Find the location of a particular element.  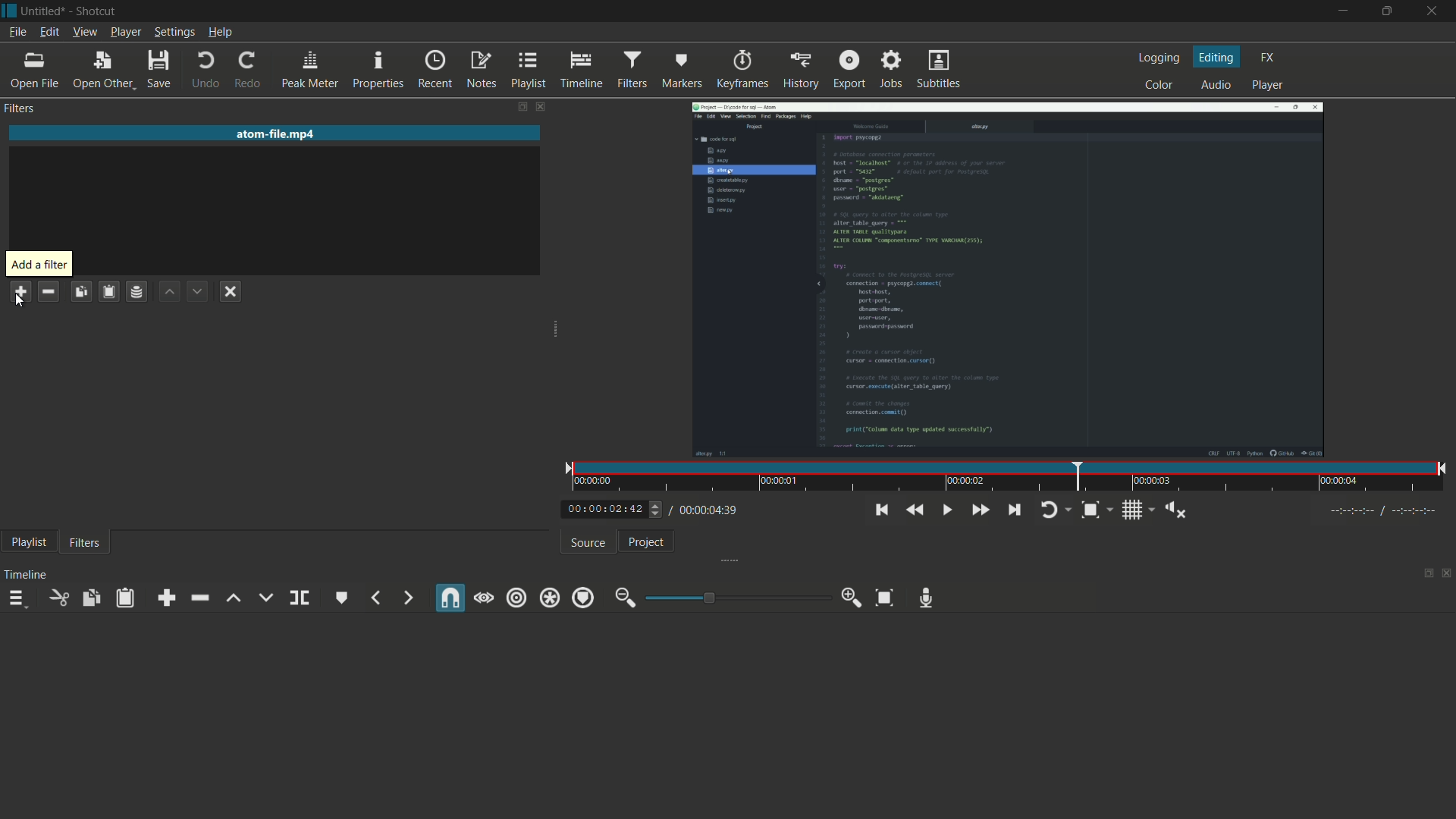

playlist is located at coordinates (528, 70).